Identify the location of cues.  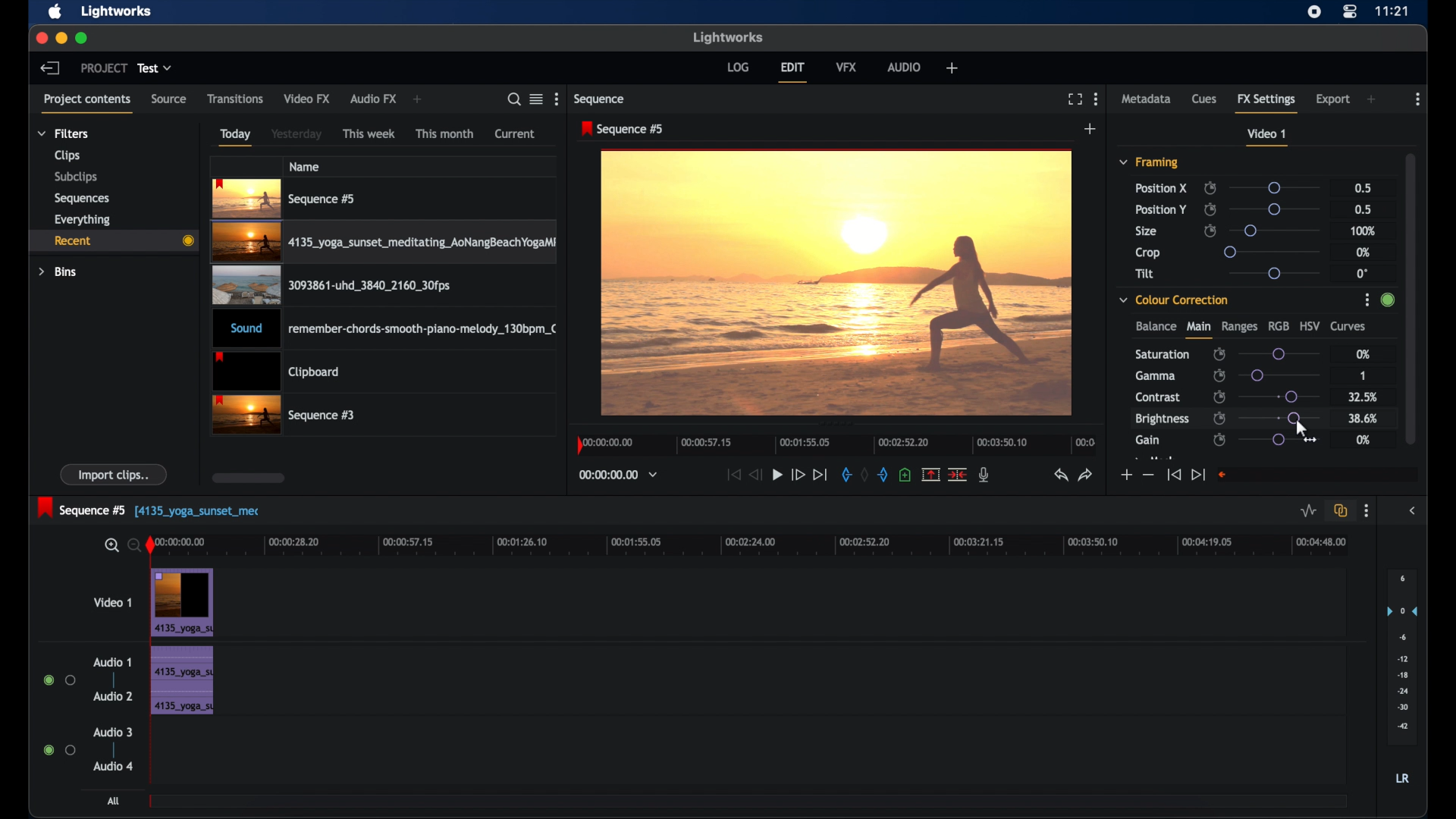
(1204, 102).